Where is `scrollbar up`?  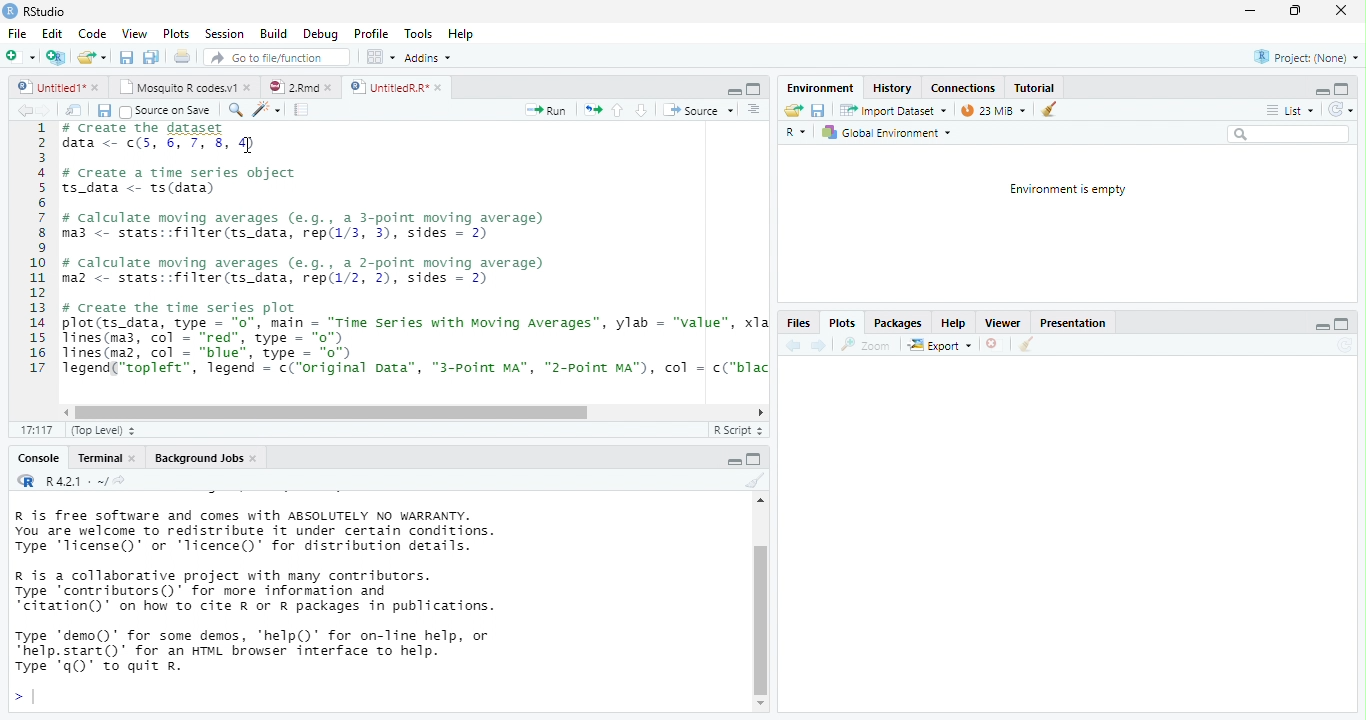 scrollbar up is located at coordinates (758, 503).